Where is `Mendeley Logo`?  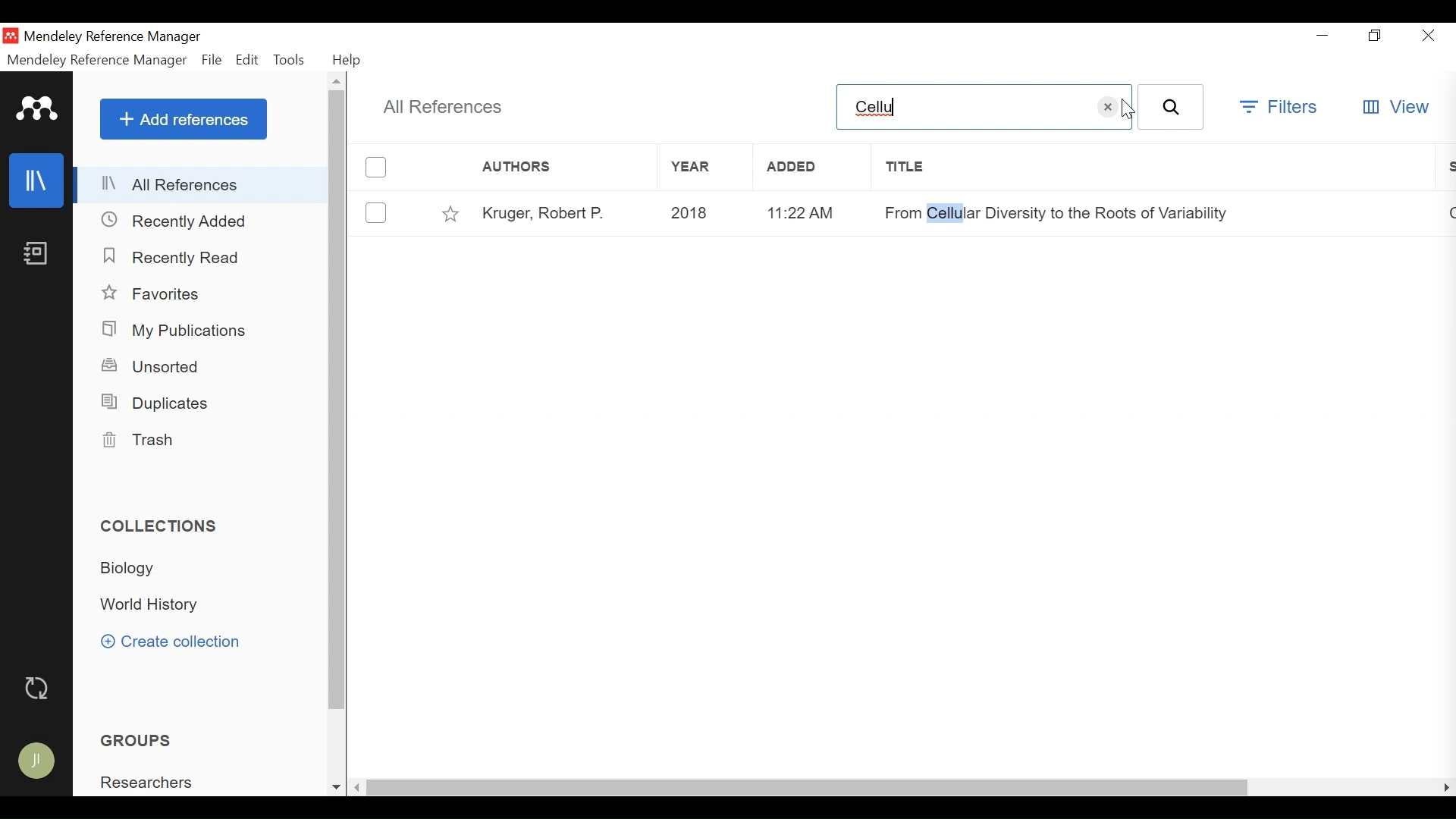
Mendeley Logo is located at coordinates (39, 110).